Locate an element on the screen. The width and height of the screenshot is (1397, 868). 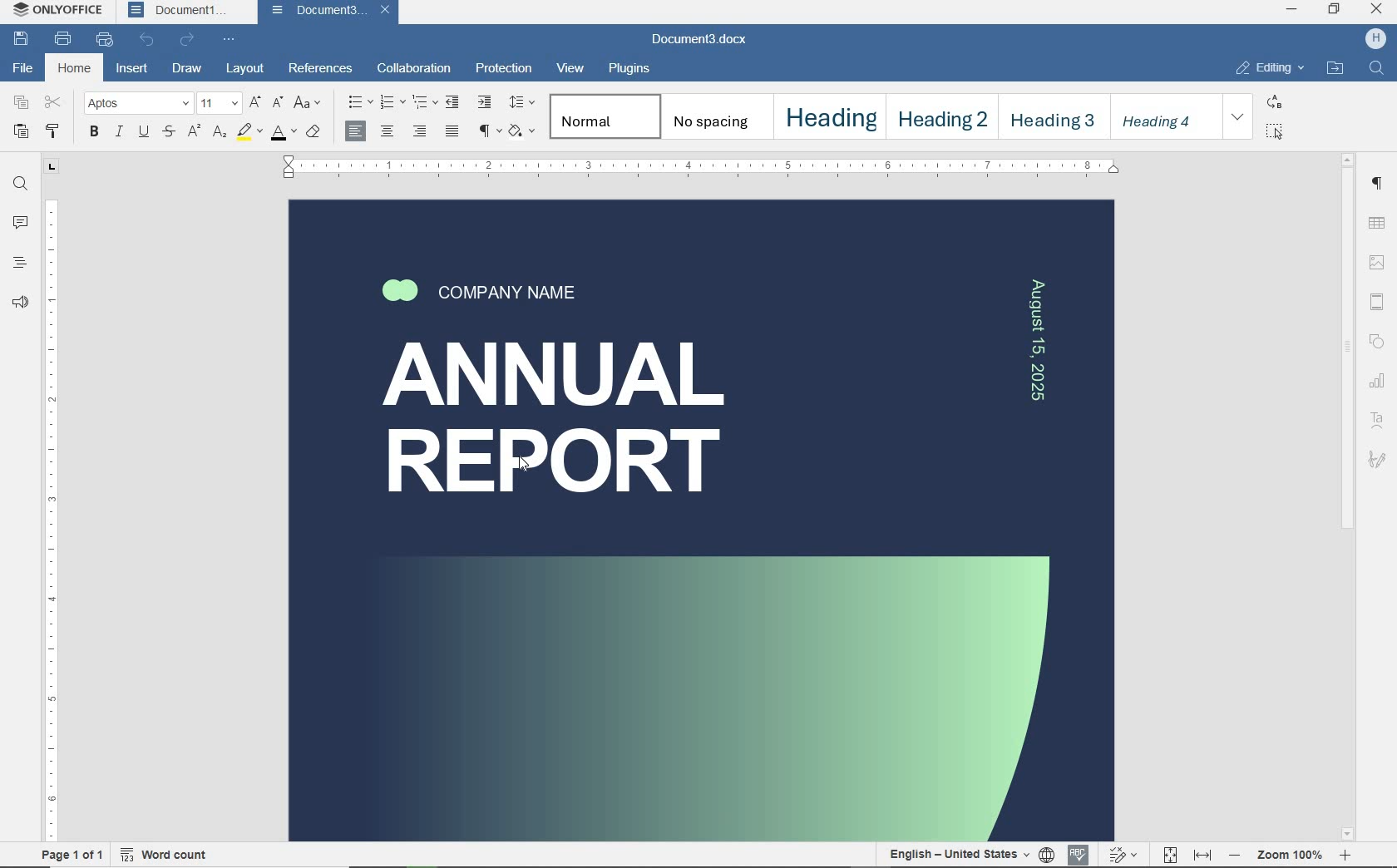
scrollbar is located at coordinates (1345, 496).